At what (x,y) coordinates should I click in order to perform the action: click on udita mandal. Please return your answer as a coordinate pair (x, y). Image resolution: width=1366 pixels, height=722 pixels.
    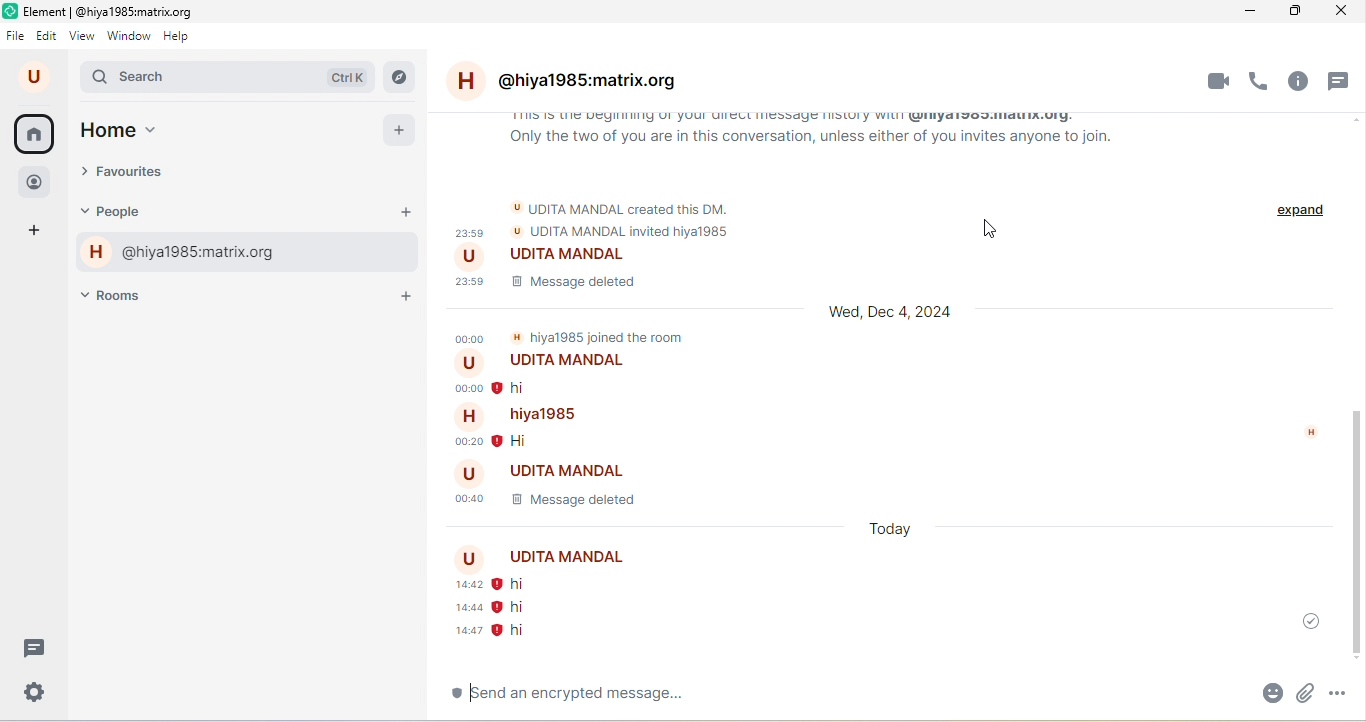
    Looking at the image, I should click on (553, 363).